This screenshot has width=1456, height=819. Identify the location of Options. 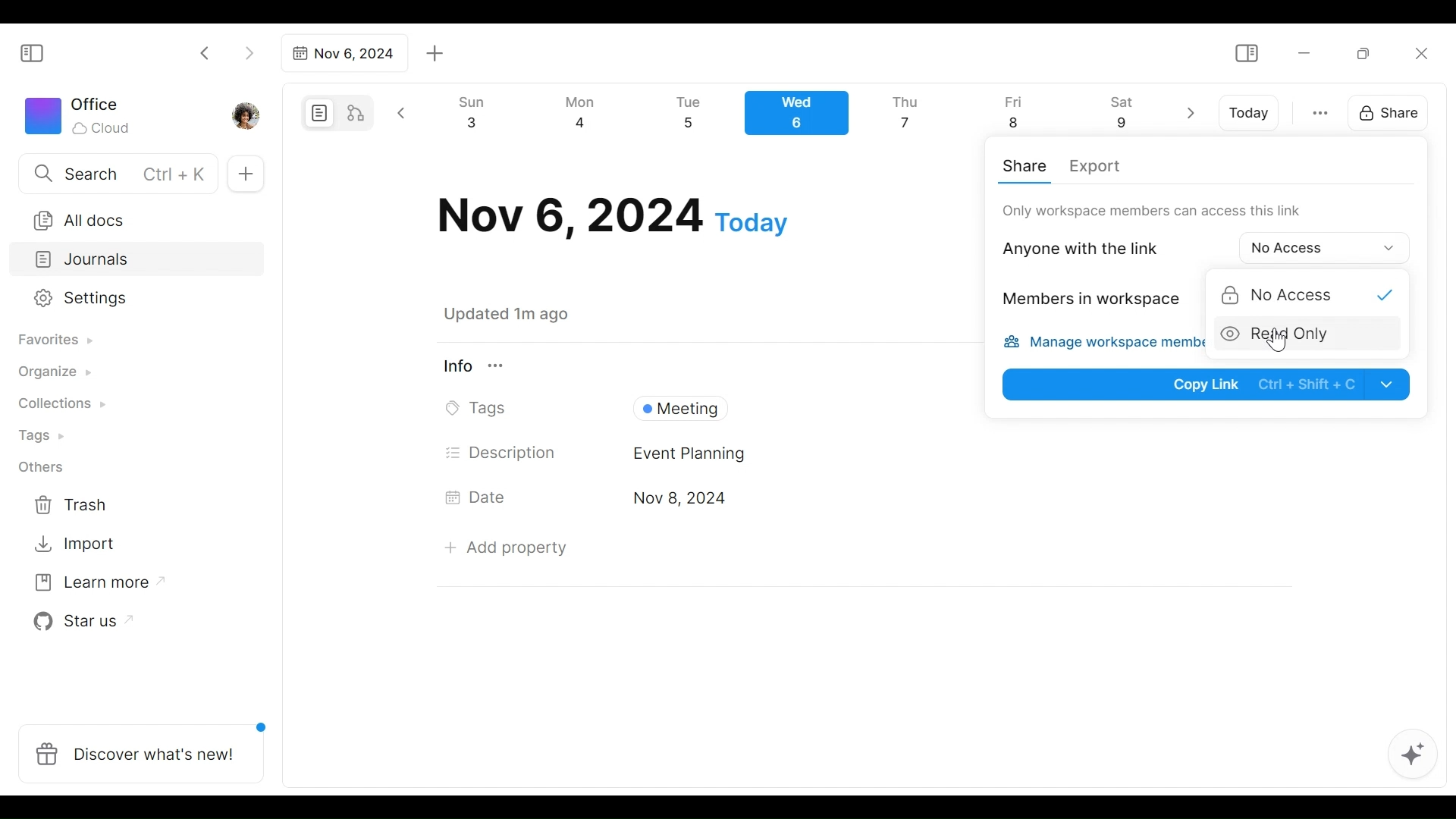
(1313, 247).